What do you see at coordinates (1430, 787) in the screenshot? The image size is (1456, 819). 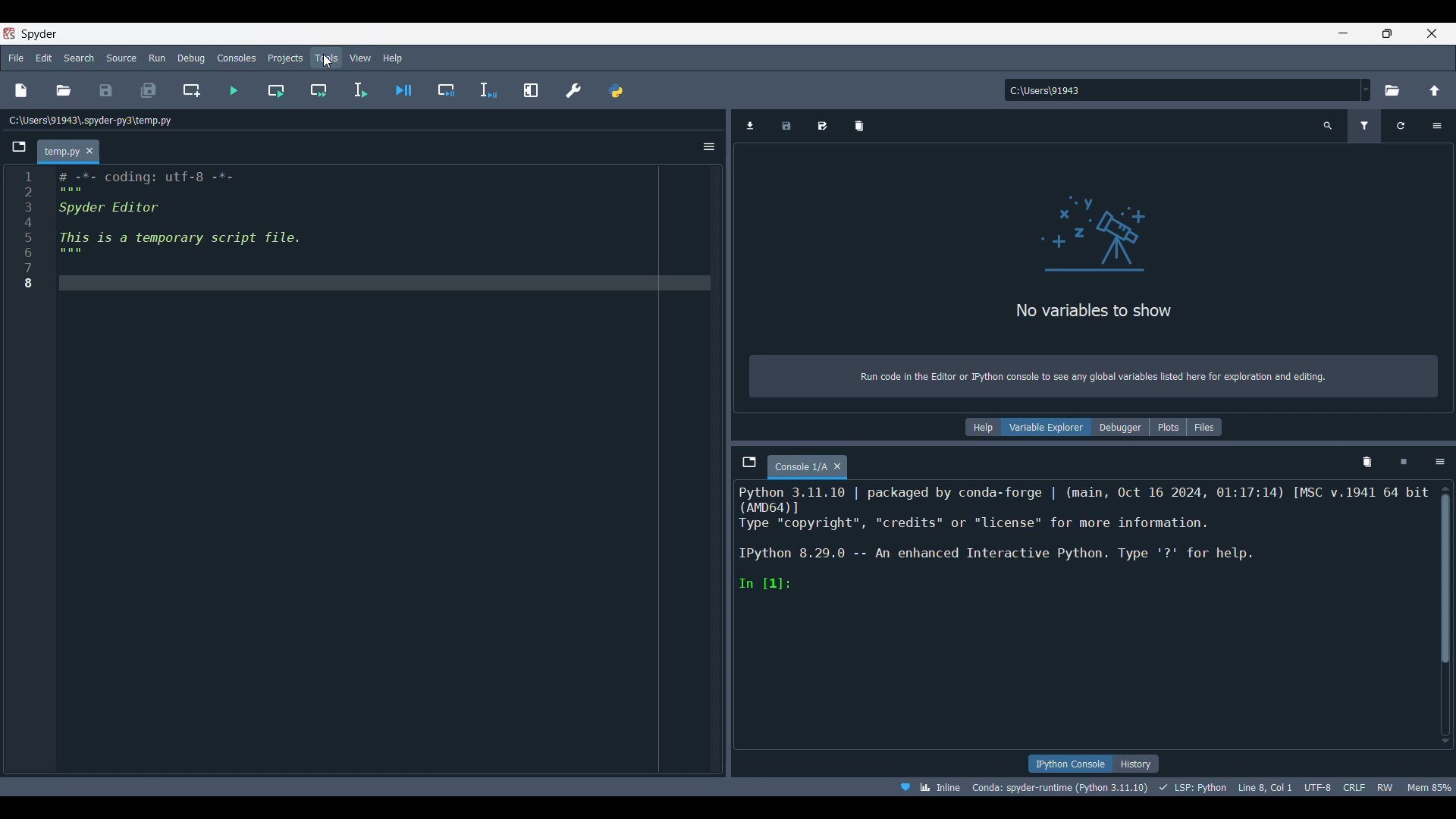 I see `mem 84%` at bounding box center [1430, 787].